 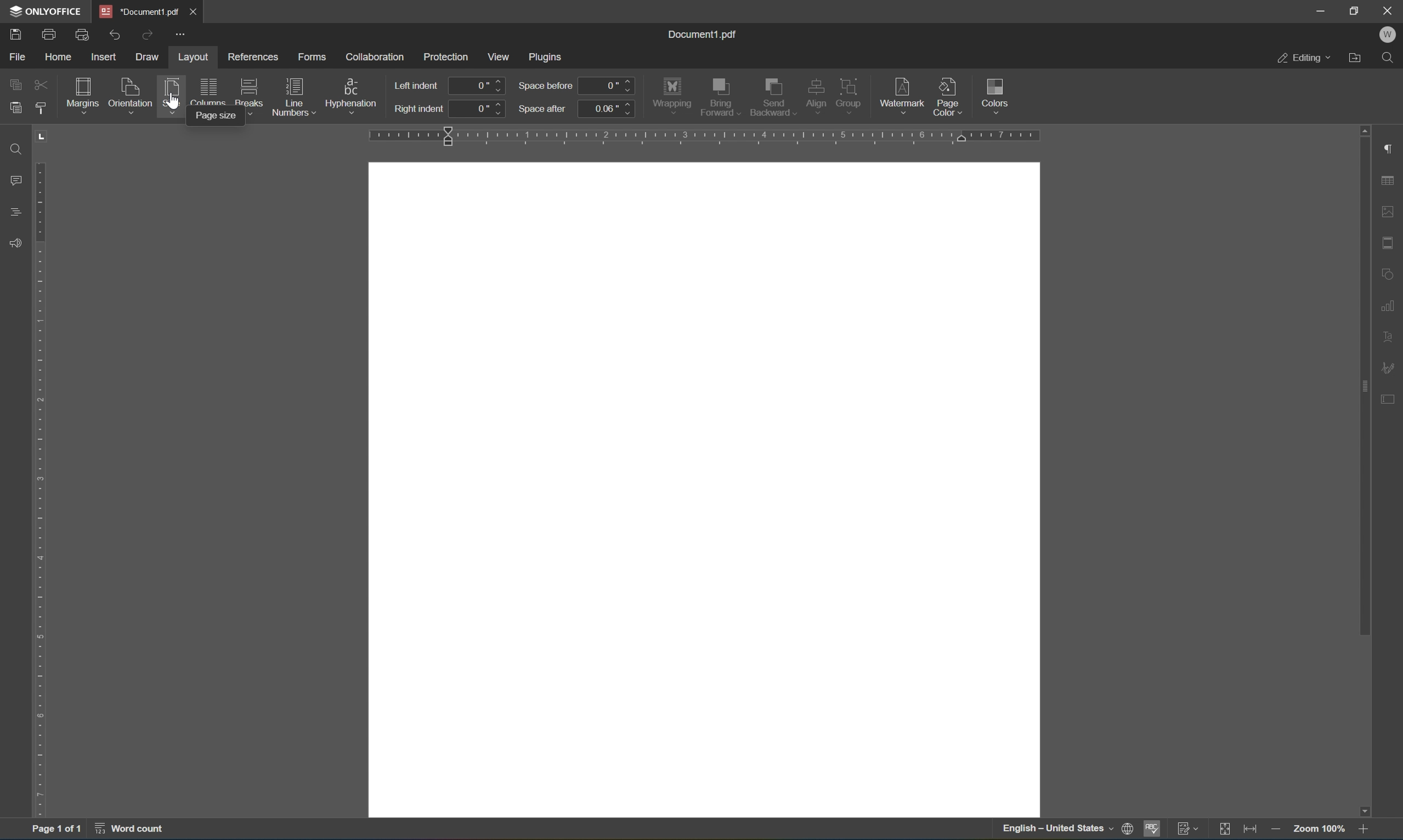 What do you see at coordinates (607, 108) in the screenshot?
I see `0.06` at bounding box center [607, 108].